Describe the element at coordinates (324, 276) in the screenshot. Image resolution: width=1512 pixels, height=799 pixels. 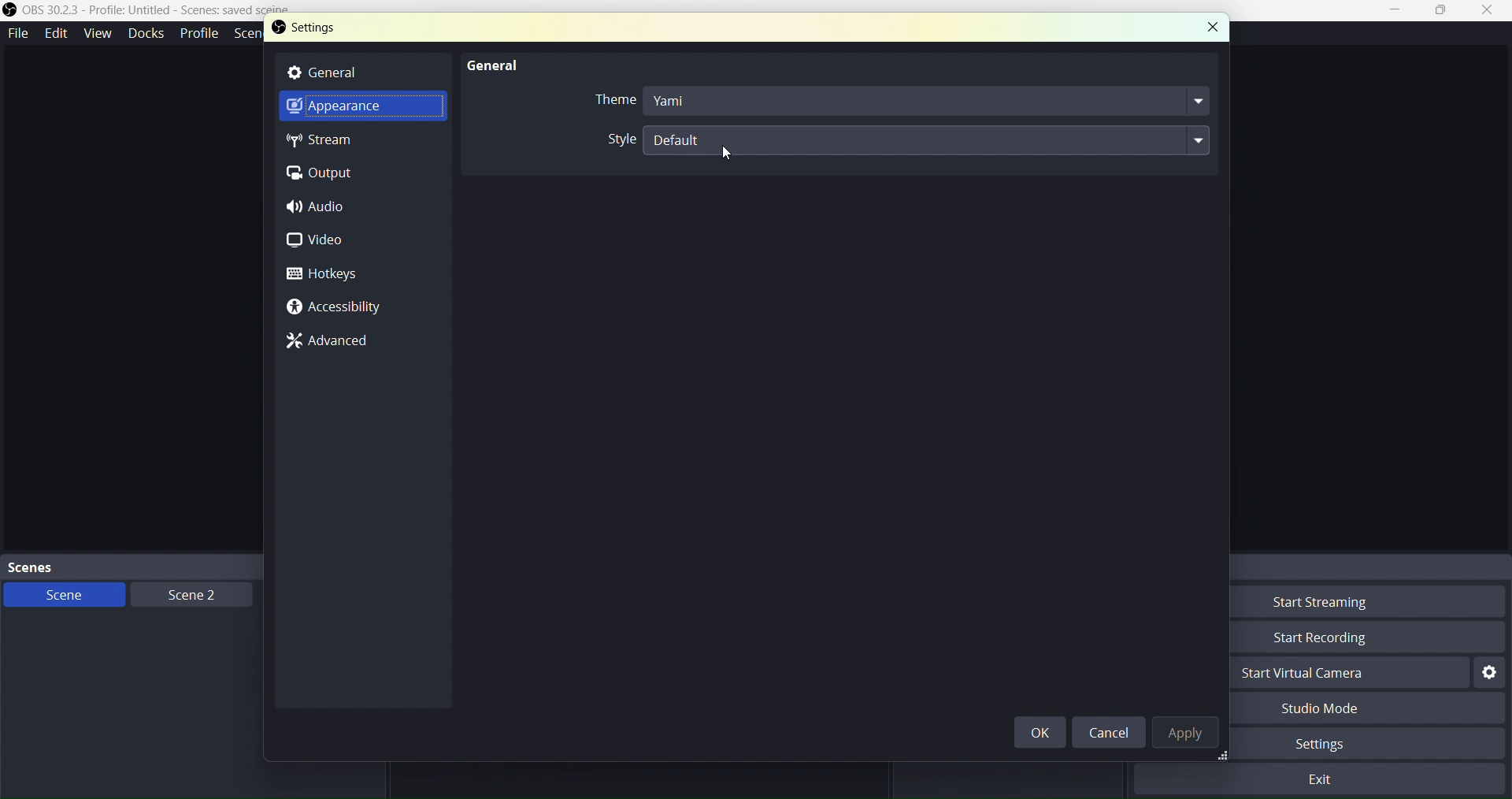
I see `Hotkeys` at that location.